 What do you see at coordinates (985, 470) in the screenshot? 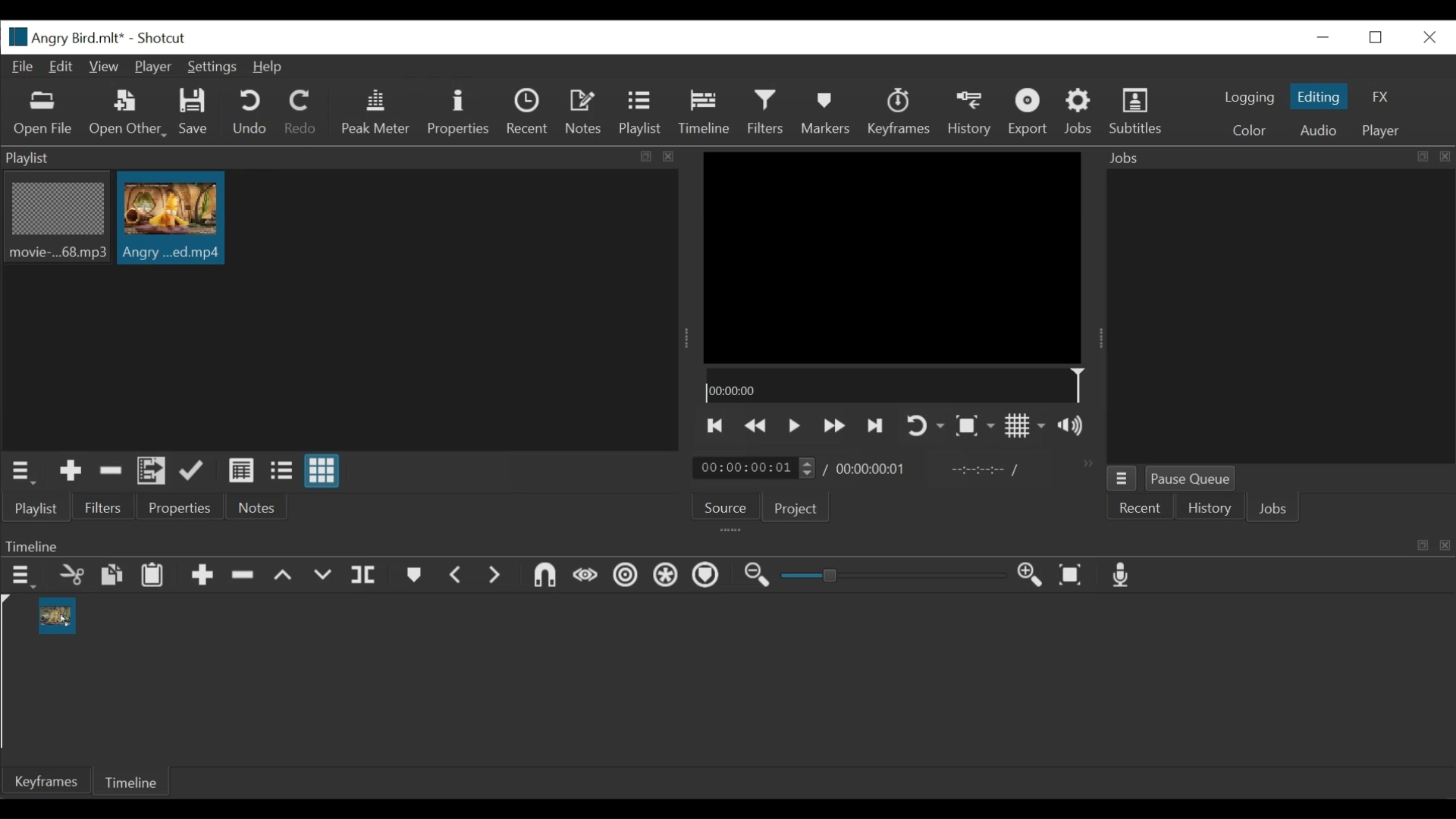
I see `In point` at bounding box center [985, 470].